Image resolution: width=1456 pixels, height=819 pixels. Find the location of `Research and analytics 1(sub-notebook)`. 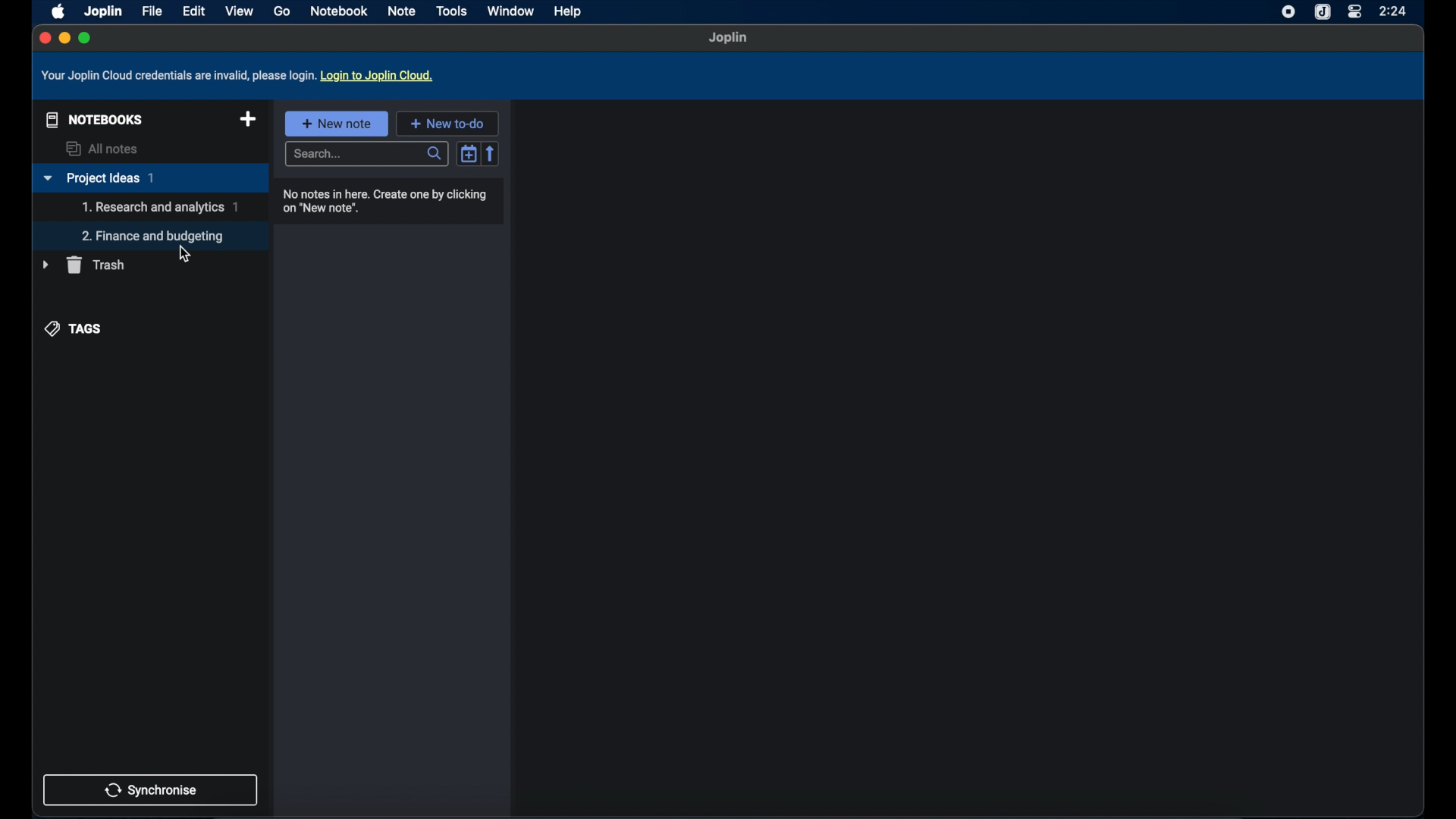

Research and analytics 1(sub-notebook) is located at coordinates (160, 207).